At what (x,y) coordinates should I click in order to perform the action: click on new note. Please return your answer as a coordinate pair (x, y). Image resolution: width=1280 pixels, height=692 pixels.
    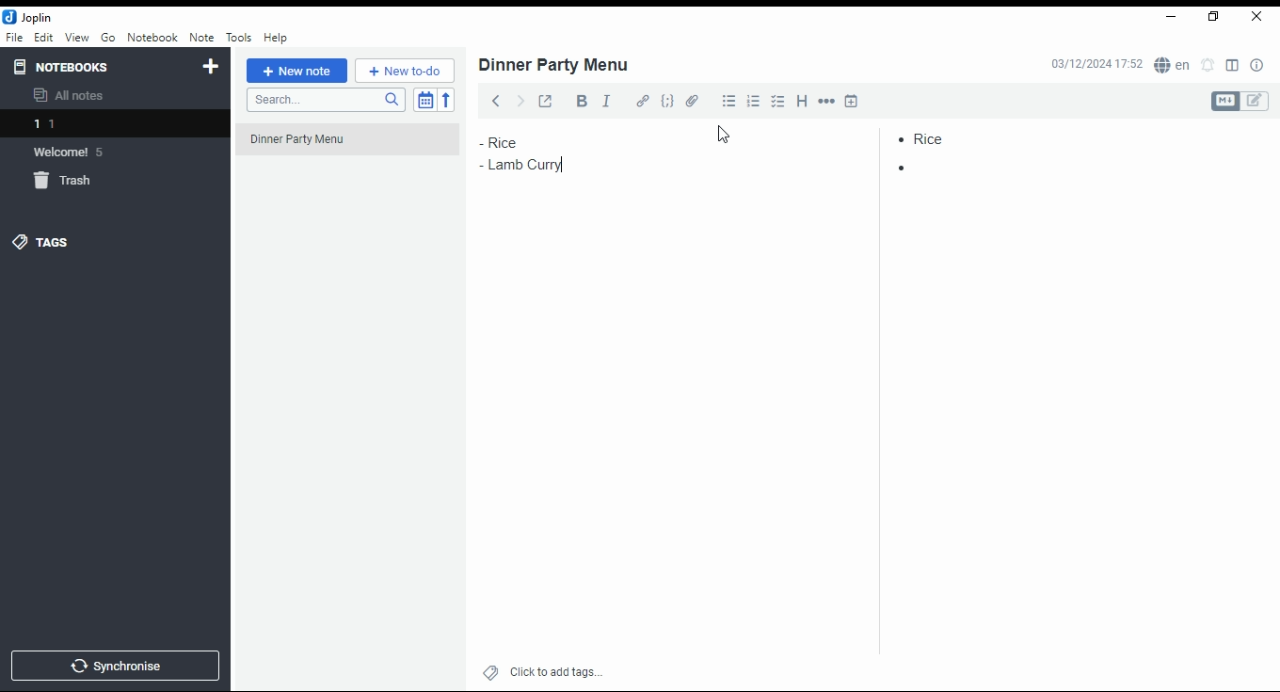
    Looking at the image, I should click on (296, 71).